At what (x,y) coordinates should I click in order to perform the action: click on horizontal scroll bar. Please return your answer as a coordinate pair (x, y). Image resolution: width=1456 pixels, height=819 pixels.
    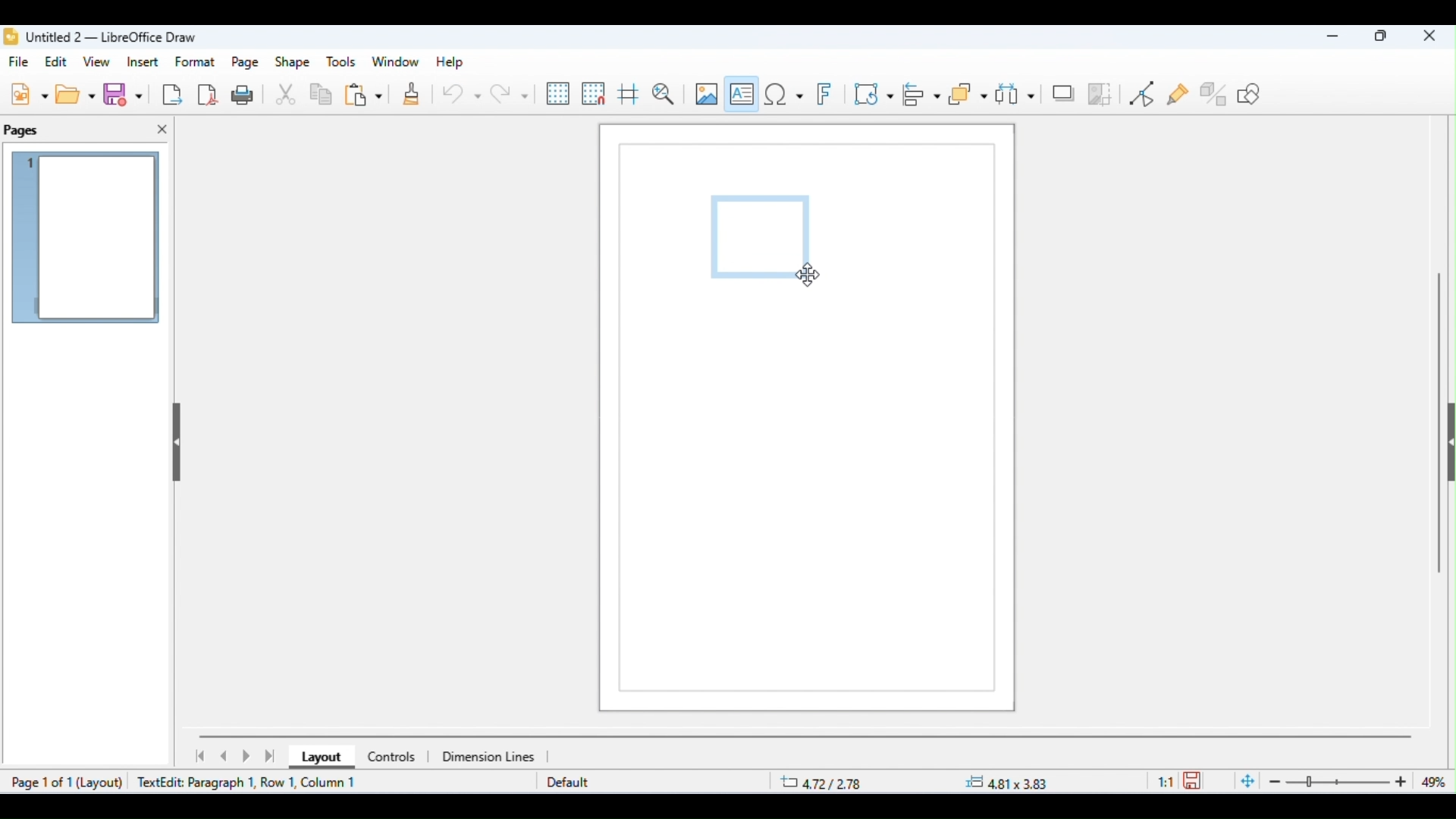
    Looking at the image, I should click on (806, 736).